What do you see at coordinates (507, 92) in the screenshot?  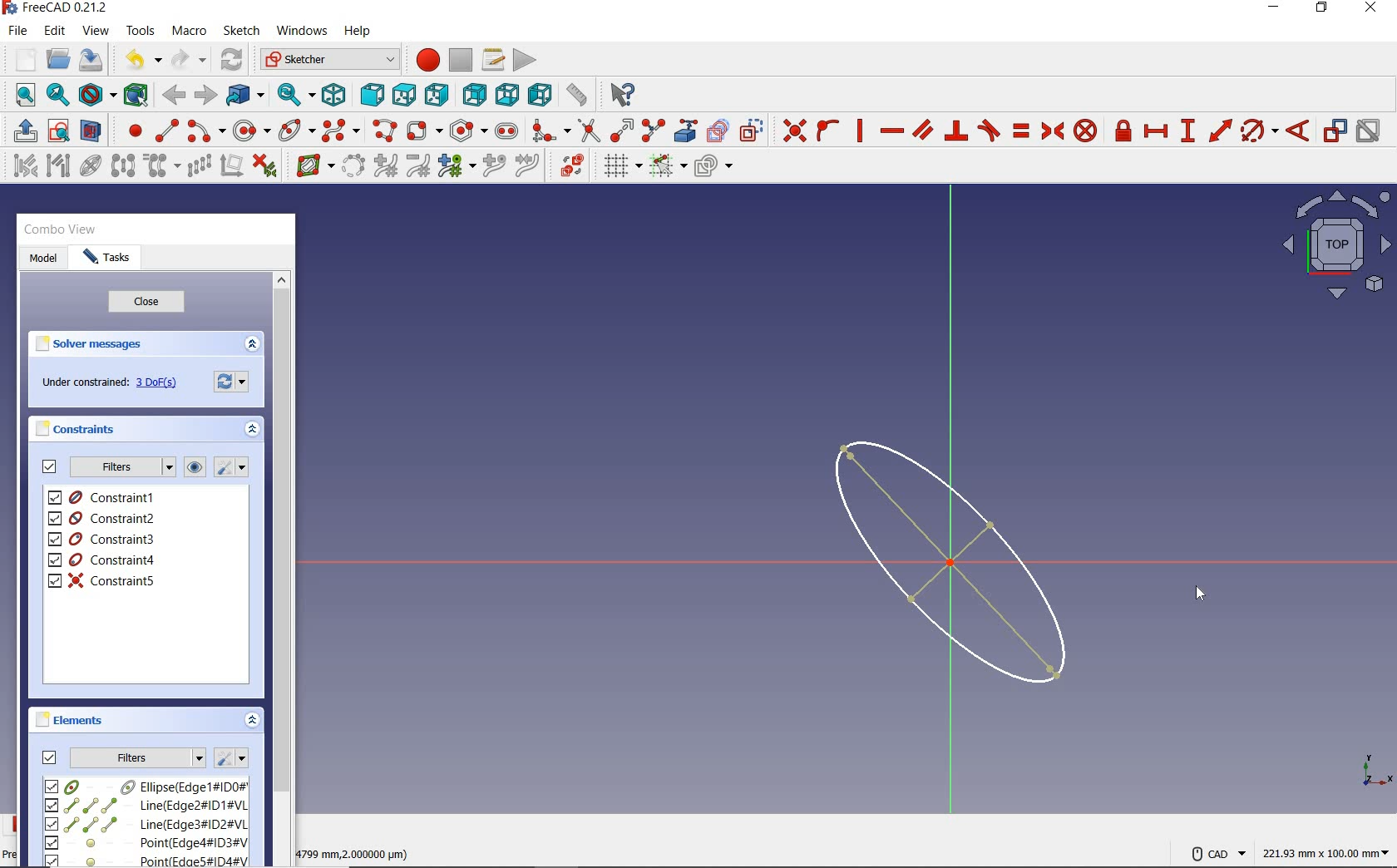 I see `bottom` at bounding box center [507, 92].